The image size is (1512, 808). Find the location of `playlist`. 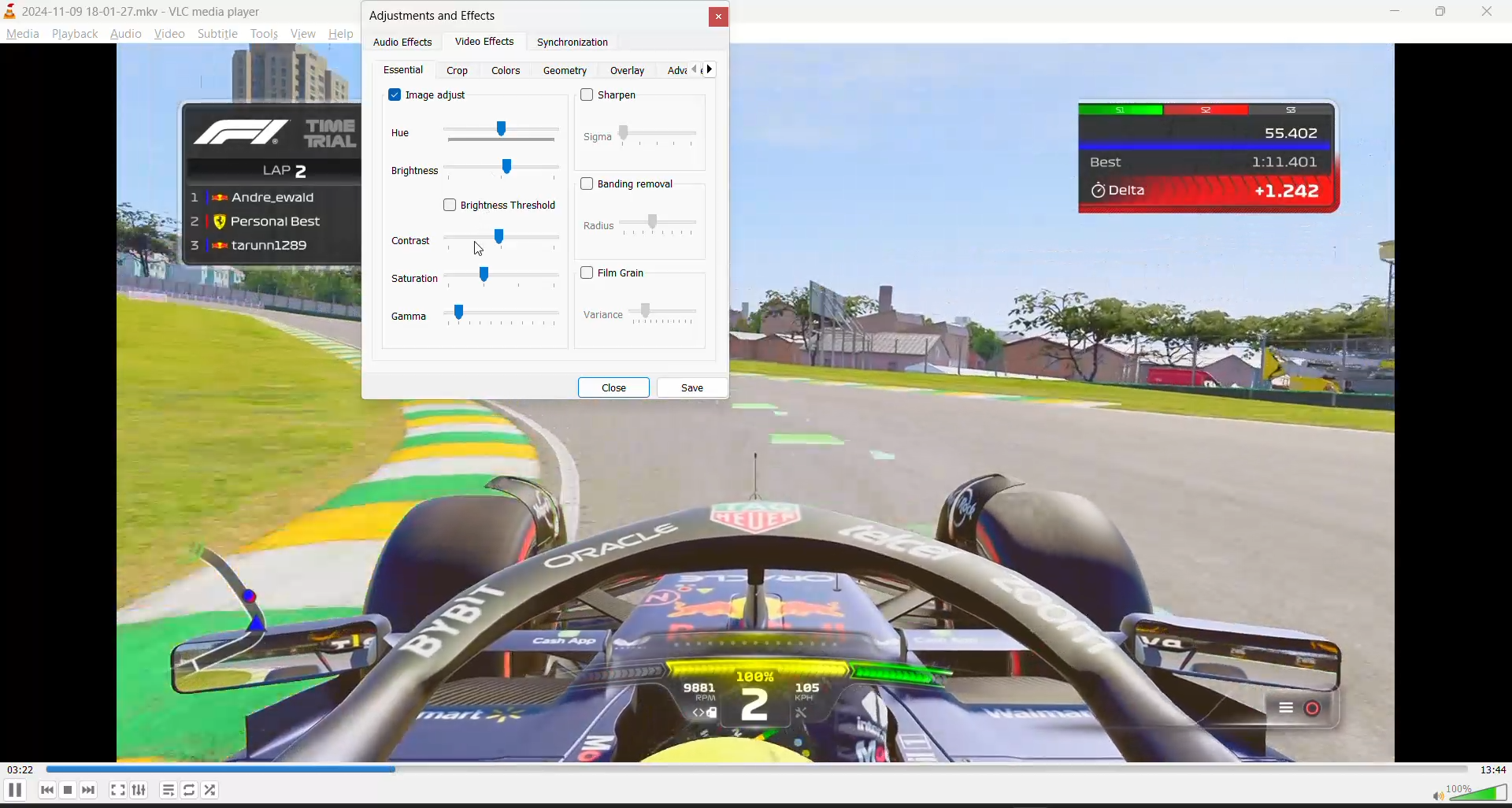

playlist is located at coordinates (169, 790).